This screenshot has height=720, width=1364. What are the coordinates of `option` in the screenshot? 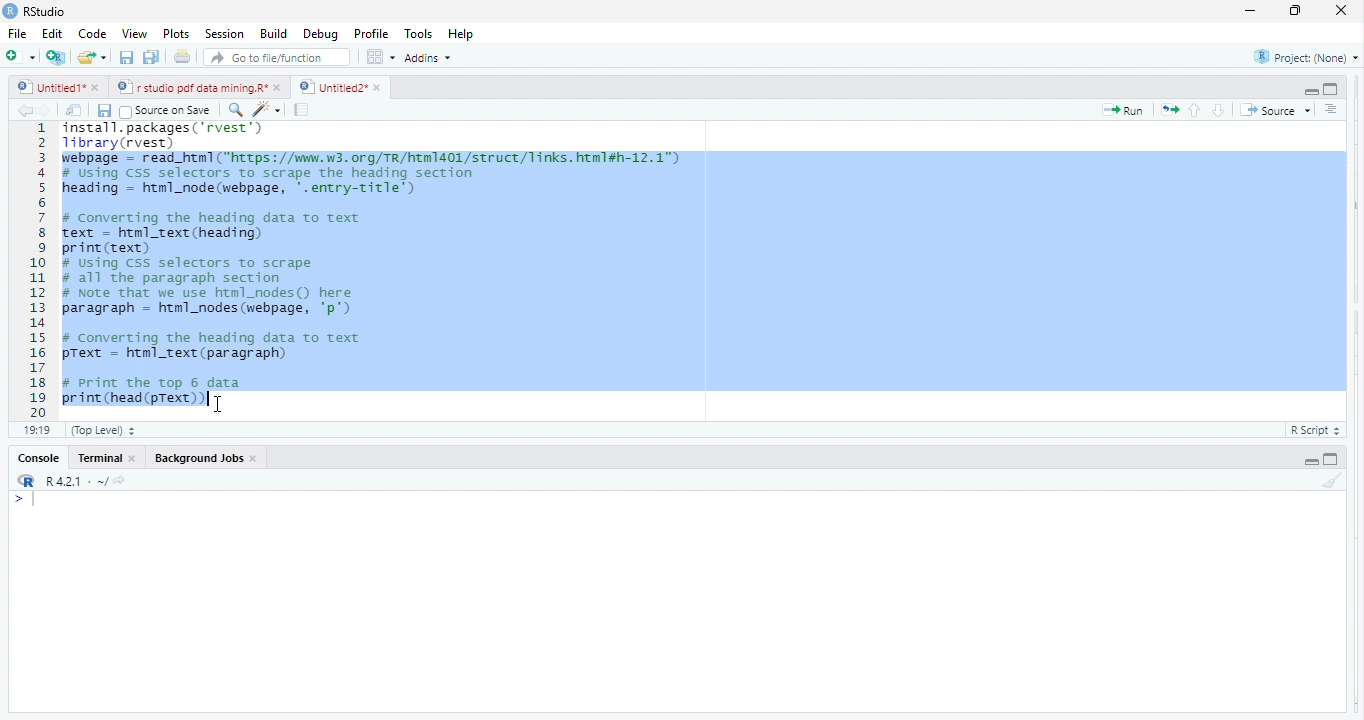 It's located at (380, 56).